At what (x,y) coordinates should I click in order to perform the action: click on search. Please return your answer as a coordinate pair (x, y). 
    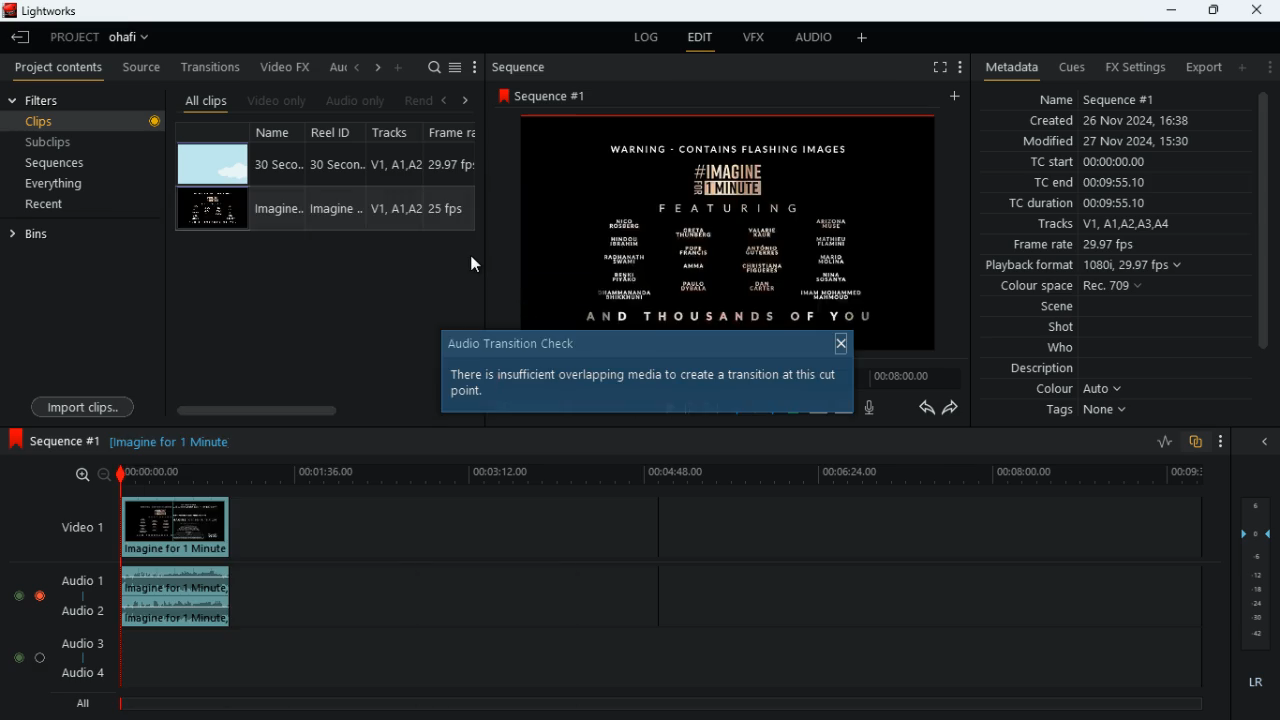
    Looking at the image, I should click on (434, 68).